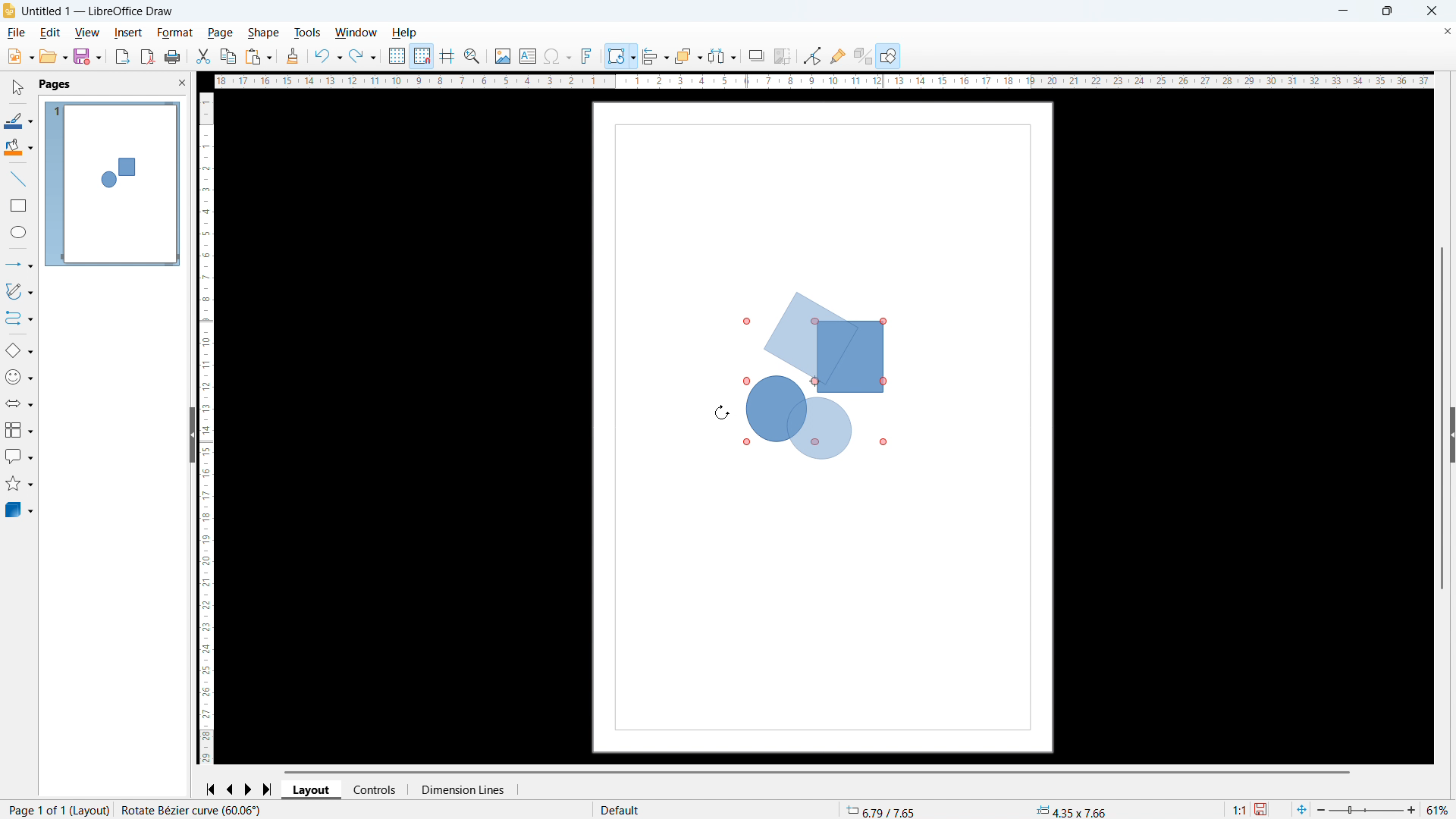 The height and width of the screenshot is (819, 1456). I want to click on copy , so click(229, 56).